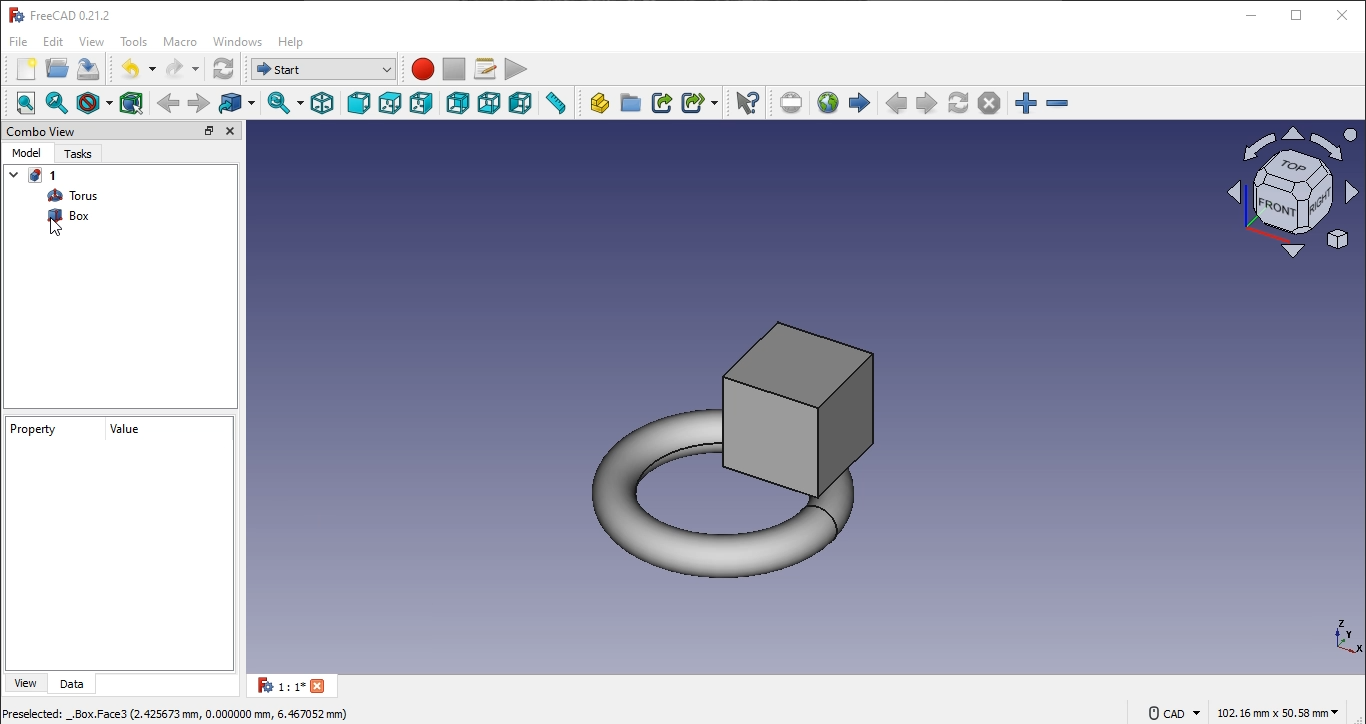 This screenshot has height=724, width=1366. I want to click on torus and box image, so click(744, 447).